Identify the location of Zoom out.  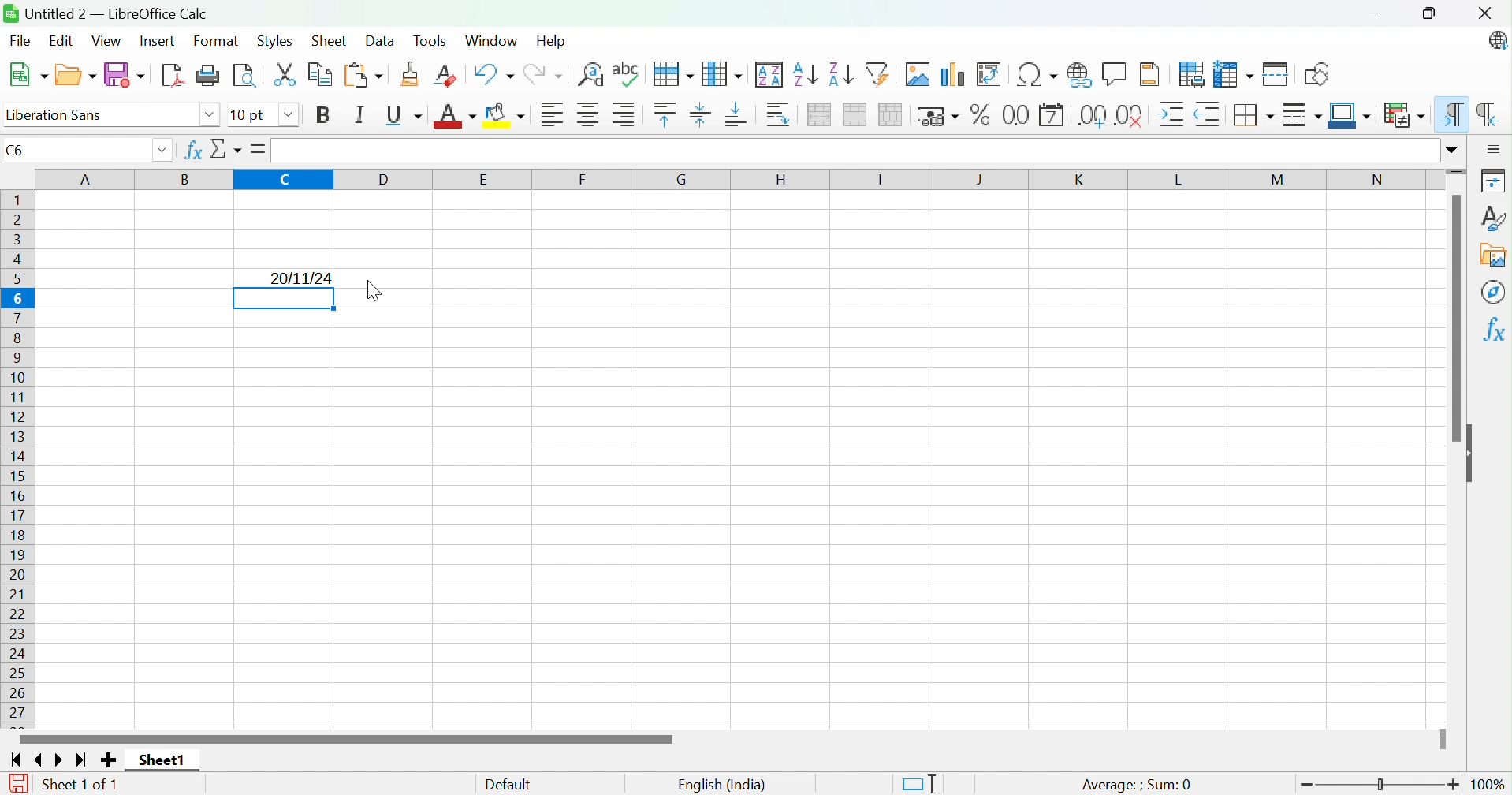
(1306, 786).